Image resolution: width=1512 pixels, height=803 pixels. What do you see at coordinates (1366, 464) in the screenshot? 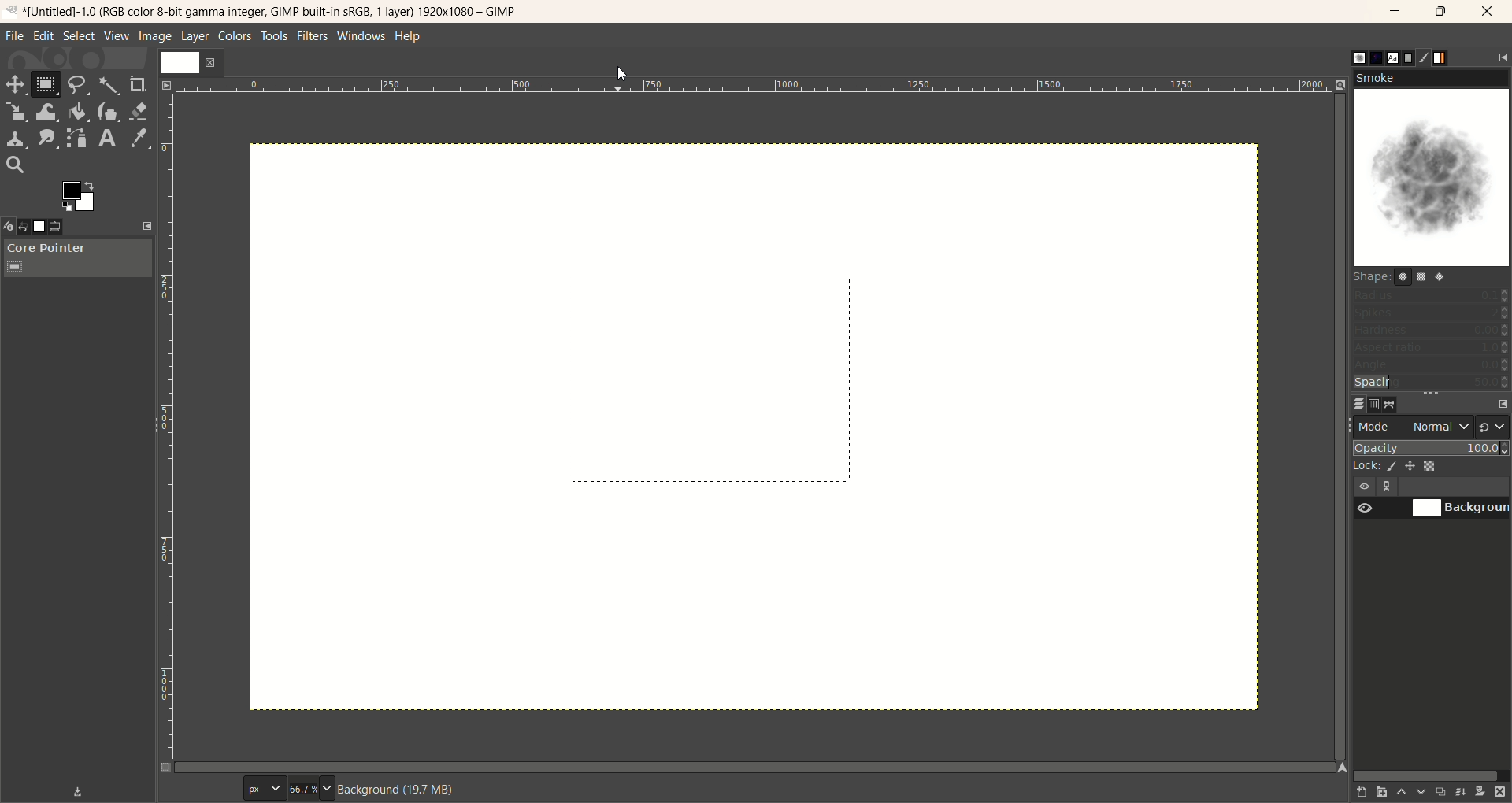
I see `lock` at bounding box center [1366, 464].